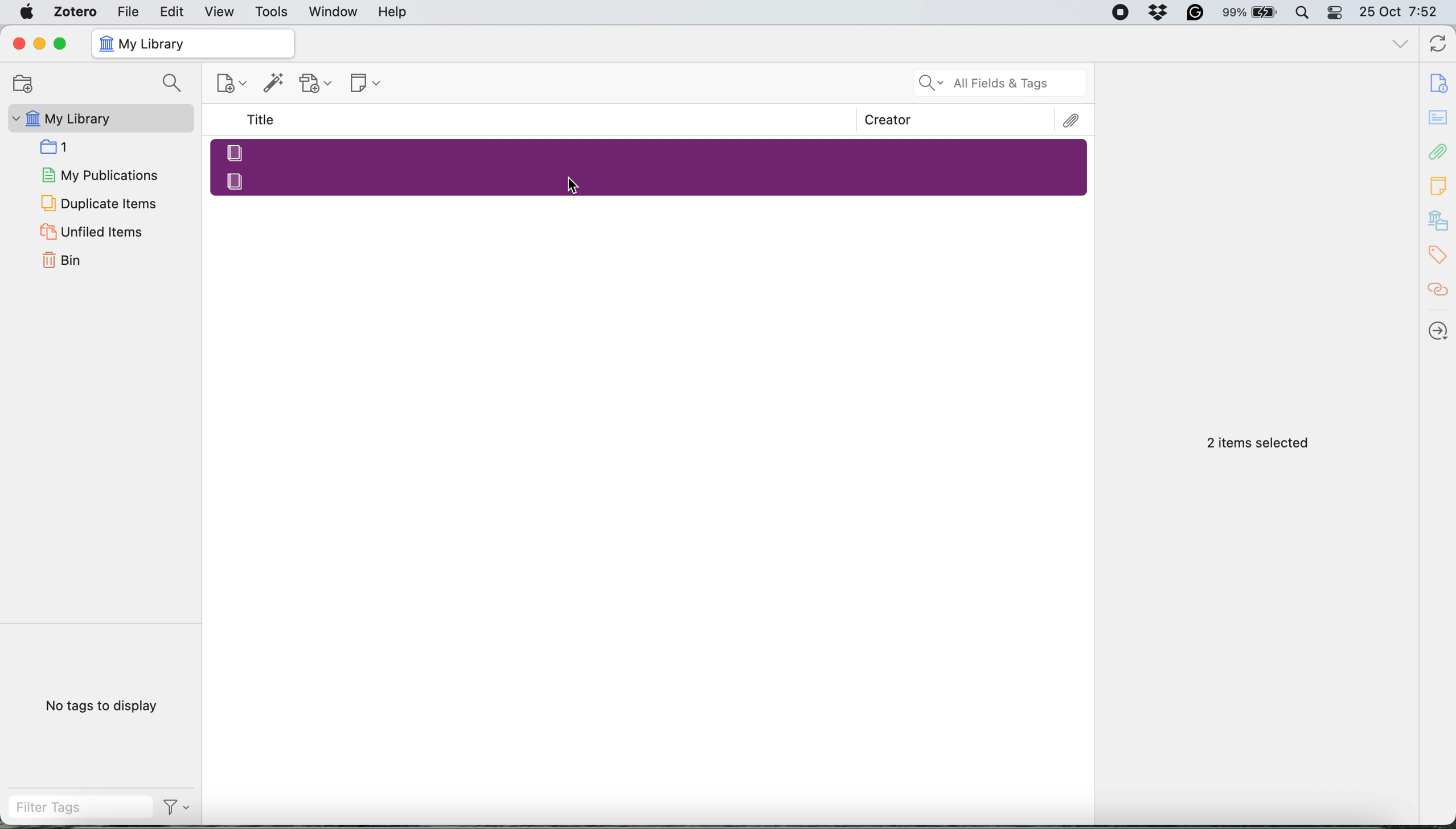 This screenshot has width=1456, height=829. What do you see at coordinates (1439, 290) in the screenshot?
I see `Citations` at bounding box center [1439, 290].